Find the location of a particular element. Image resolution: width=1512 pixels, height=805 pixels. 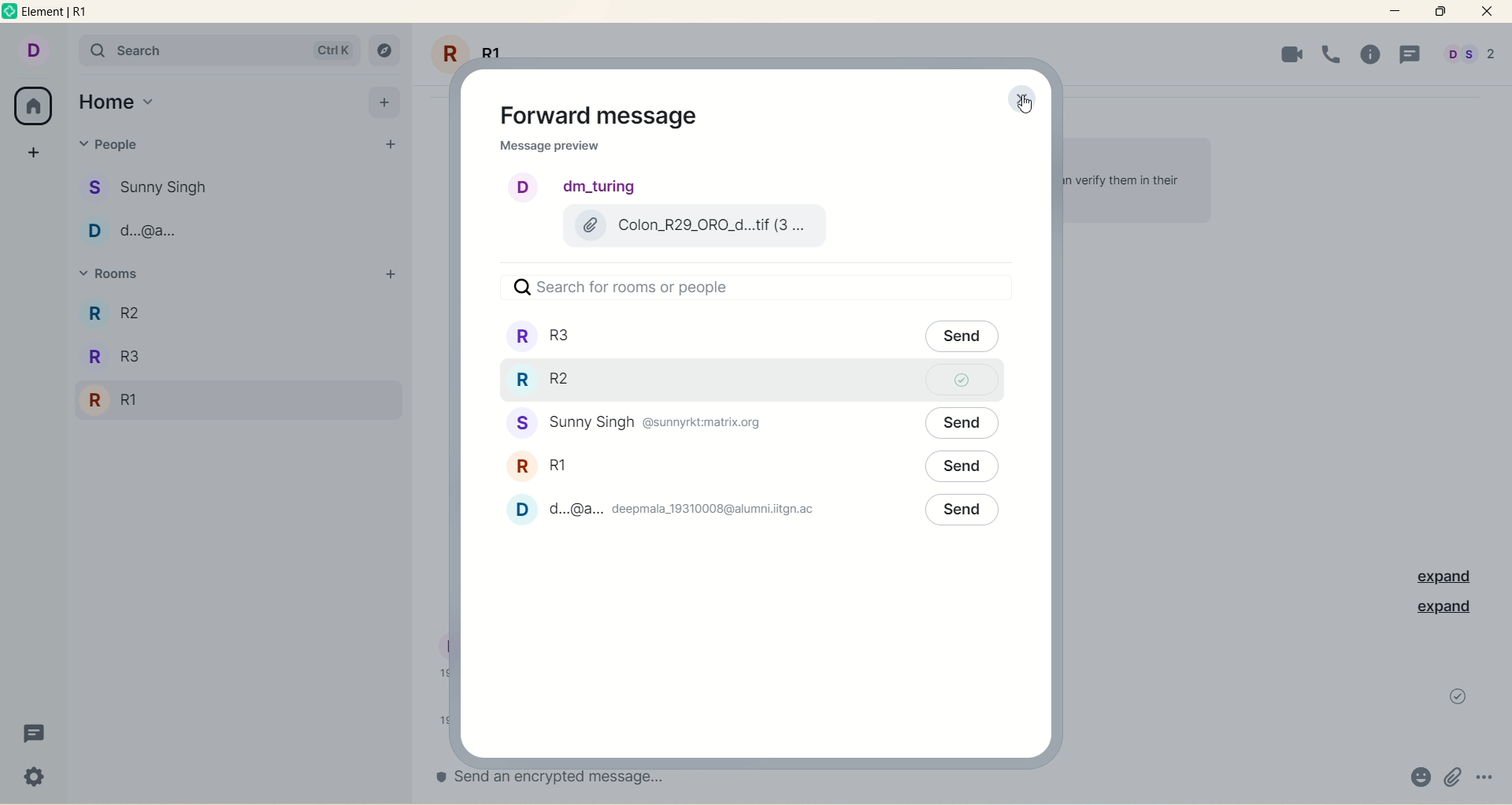

account is located at coordinates (31, 49).